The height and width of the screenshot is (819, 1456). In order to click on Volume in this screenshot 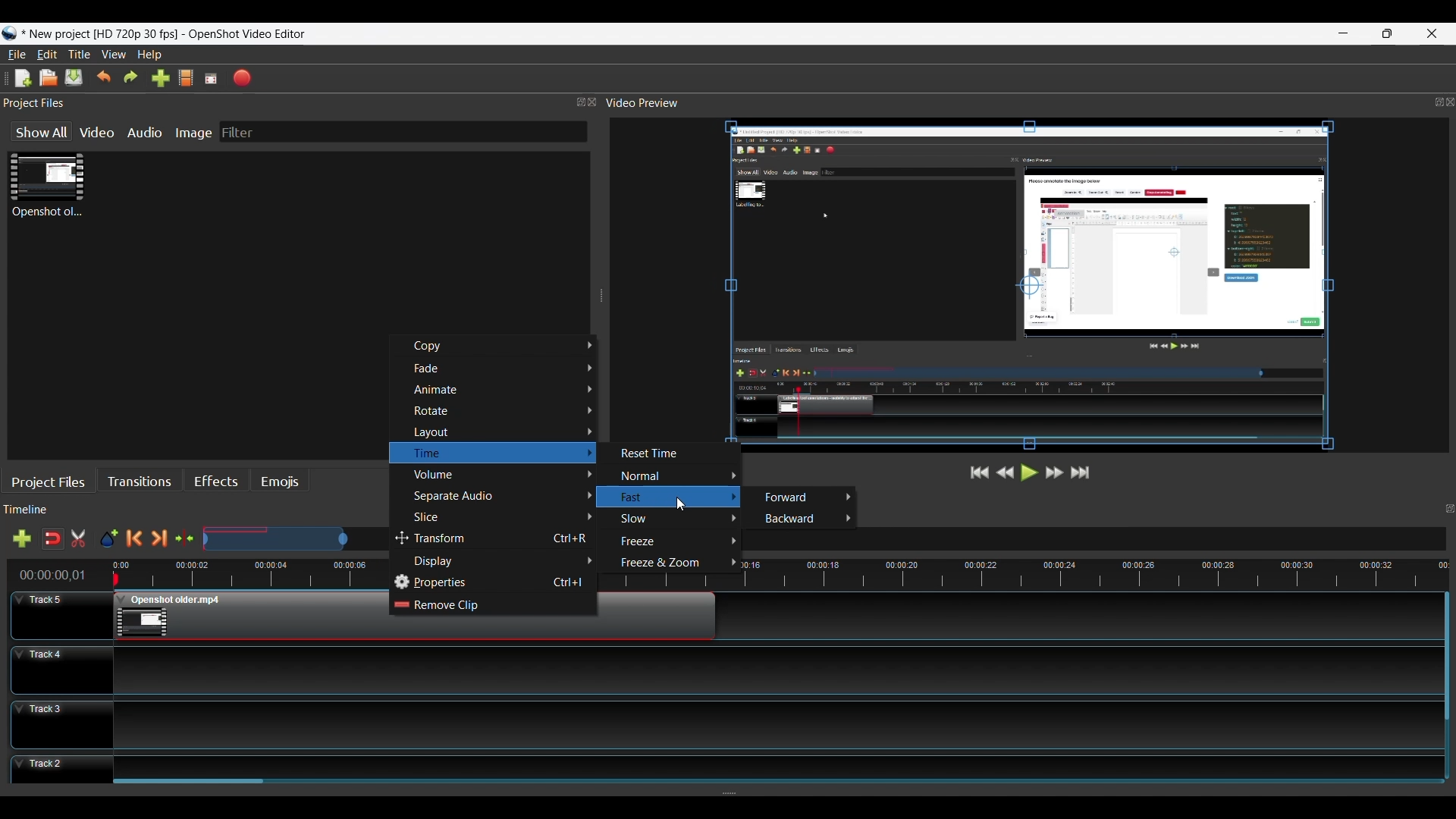, I will do `click(501, 475)`.